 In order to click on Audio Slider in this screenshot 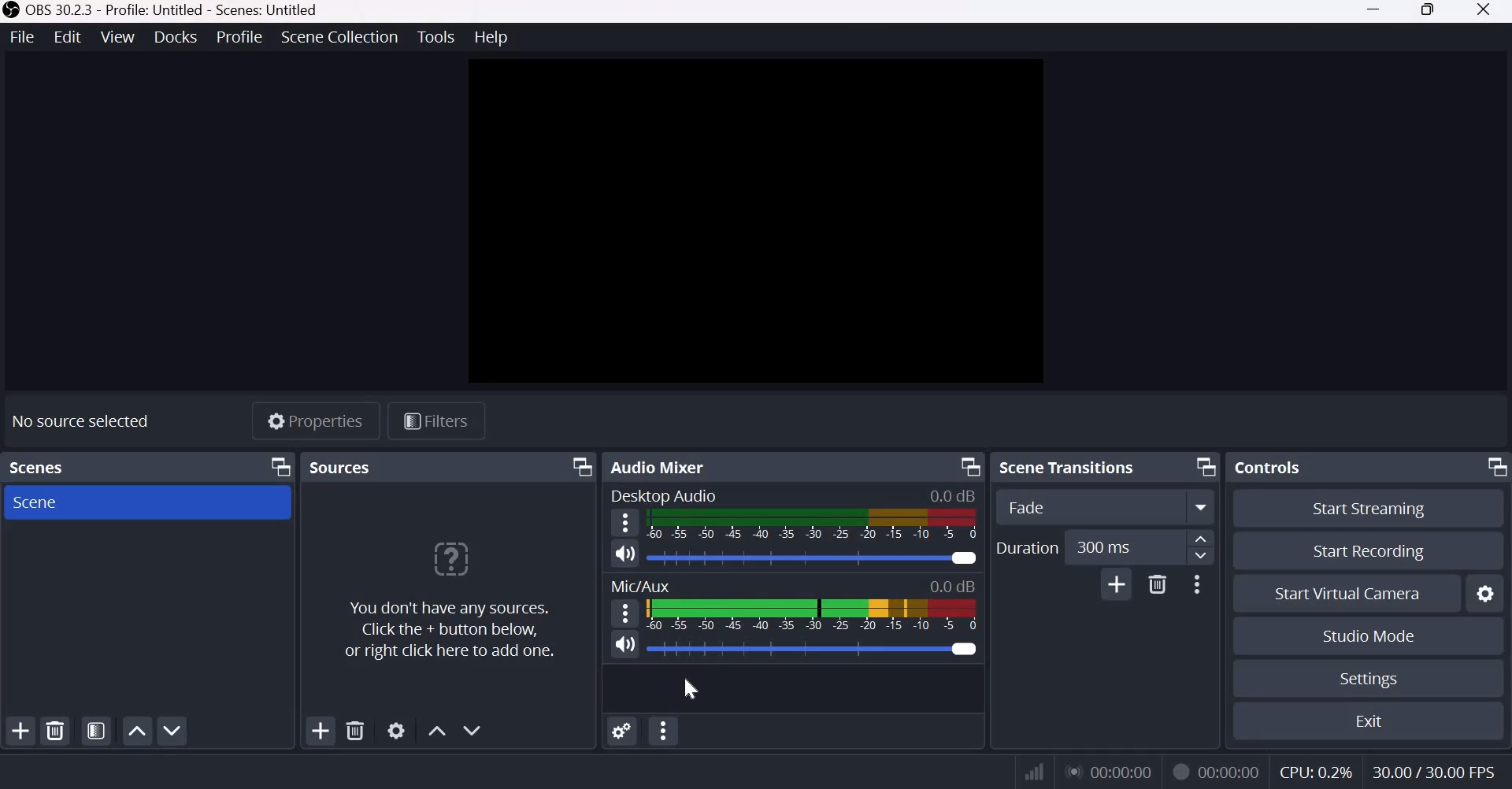, I will do `click(963, 649)`.